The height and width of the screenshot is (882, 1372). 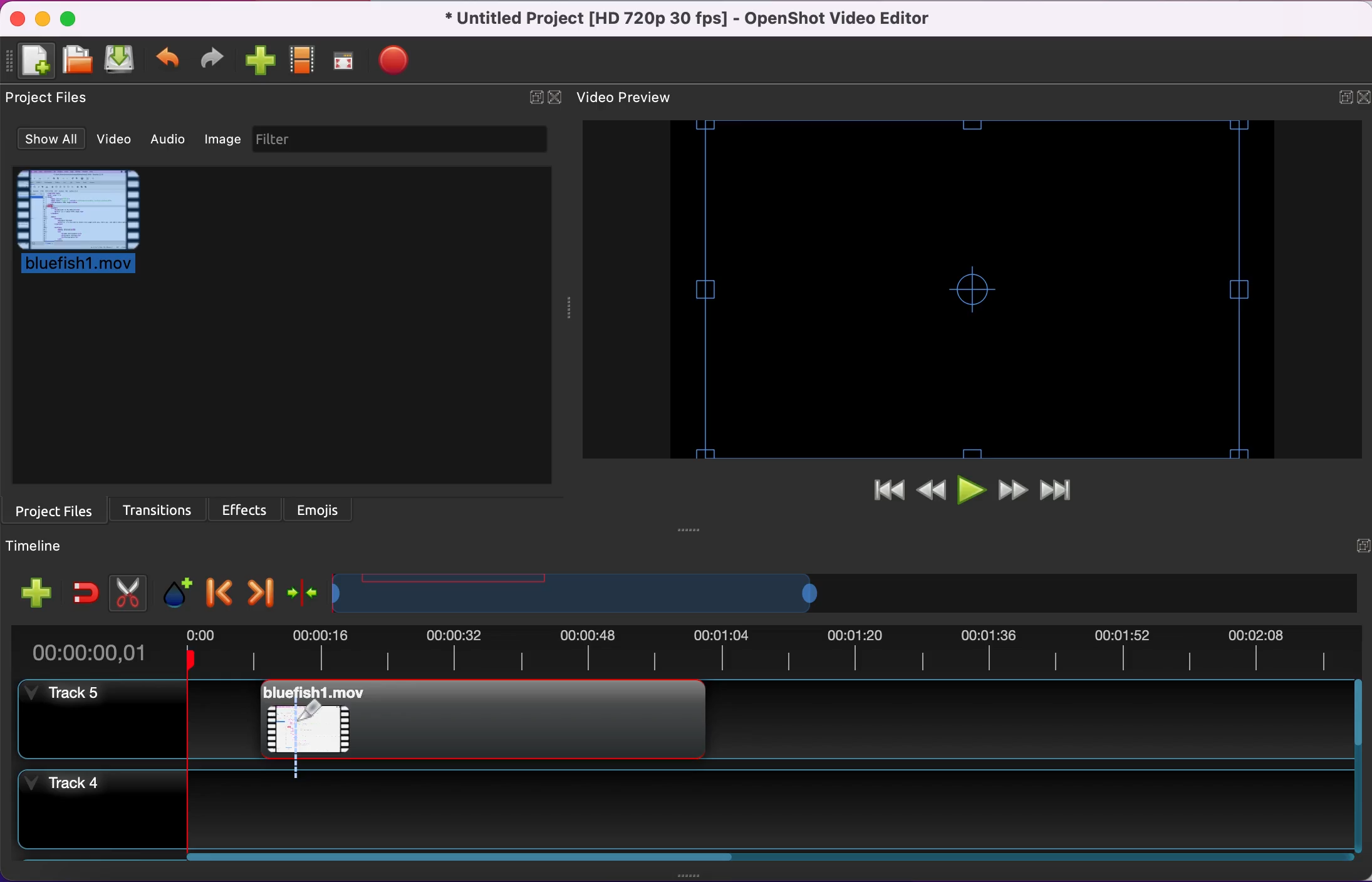 I want to click on title, so click(x=689, y=19).